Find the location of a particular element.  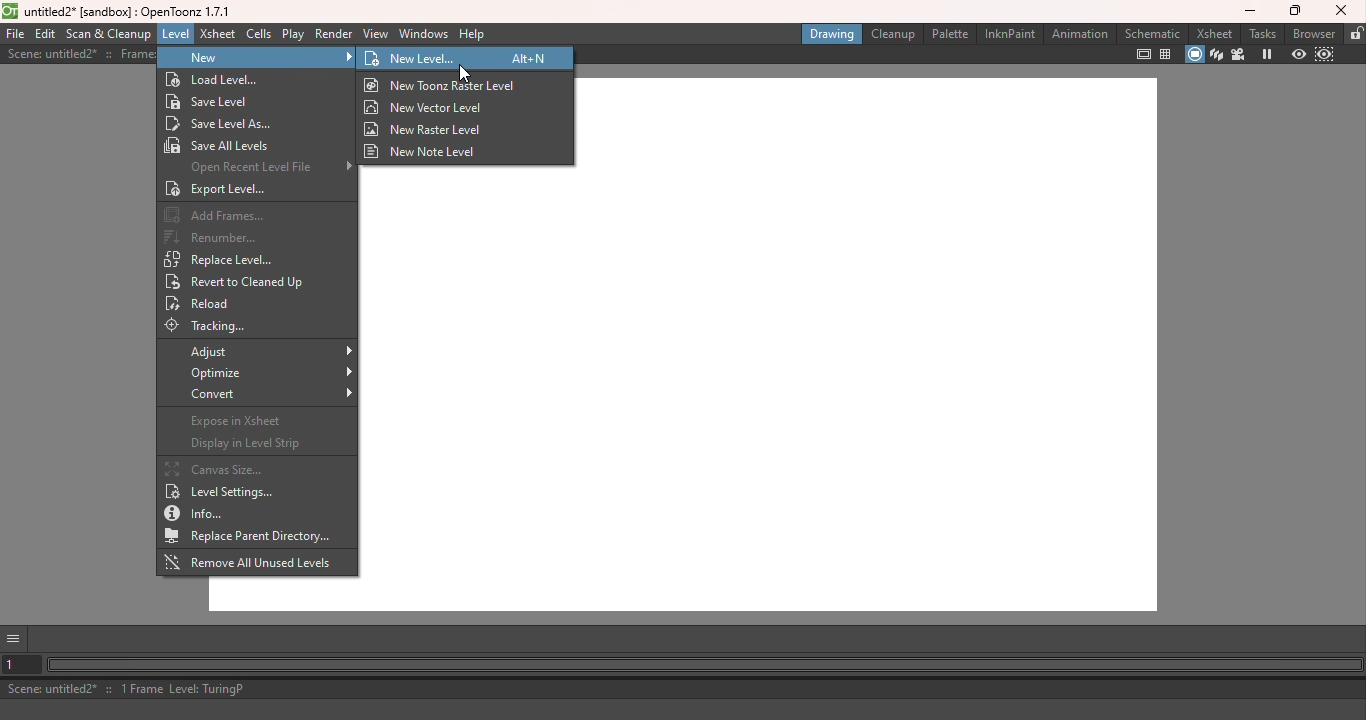

New is located at coordinates (256, 59).